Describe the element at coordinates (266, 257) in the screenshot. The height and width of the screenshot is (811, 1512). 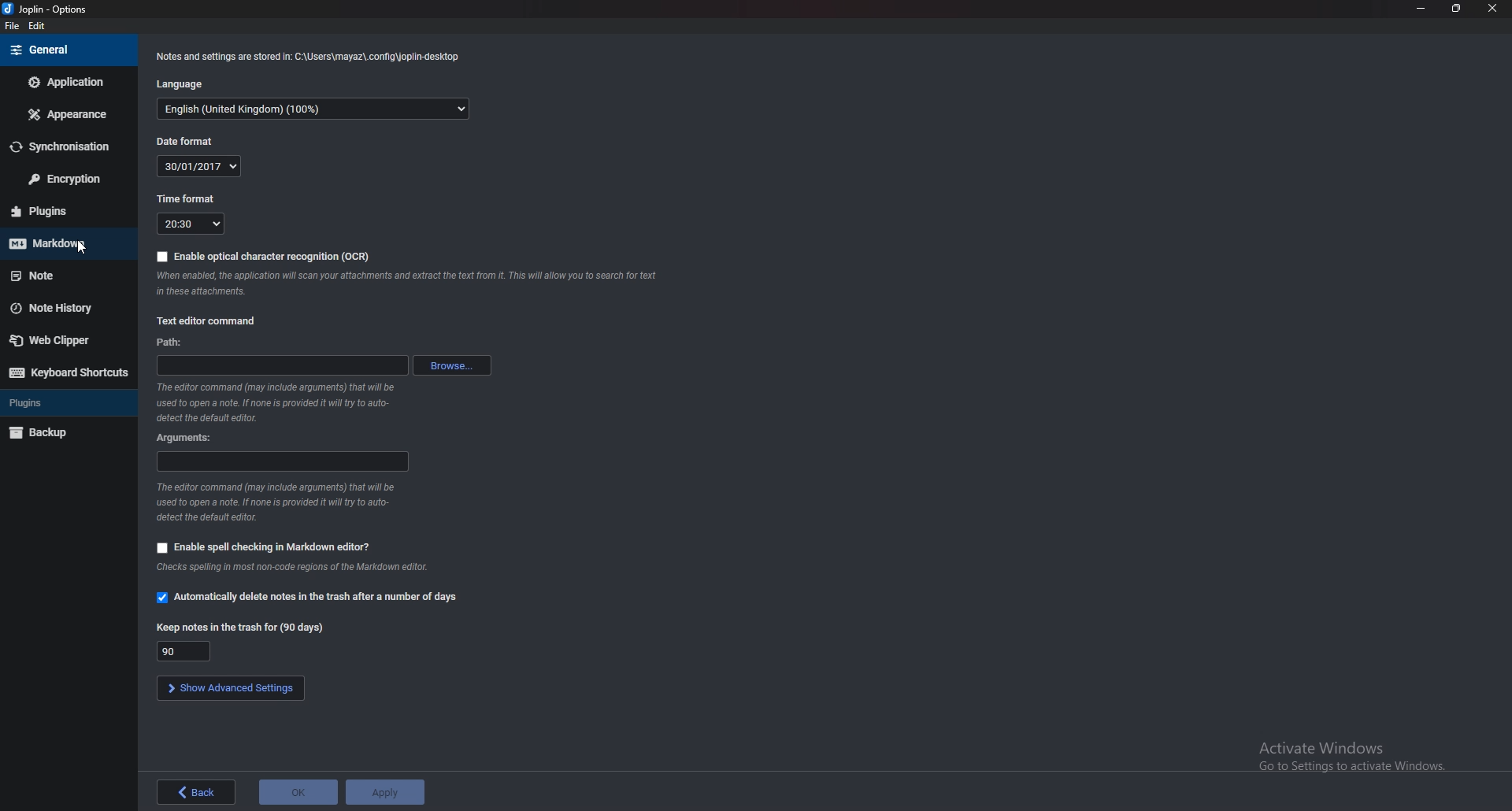
I see `enable O C R` at that location.